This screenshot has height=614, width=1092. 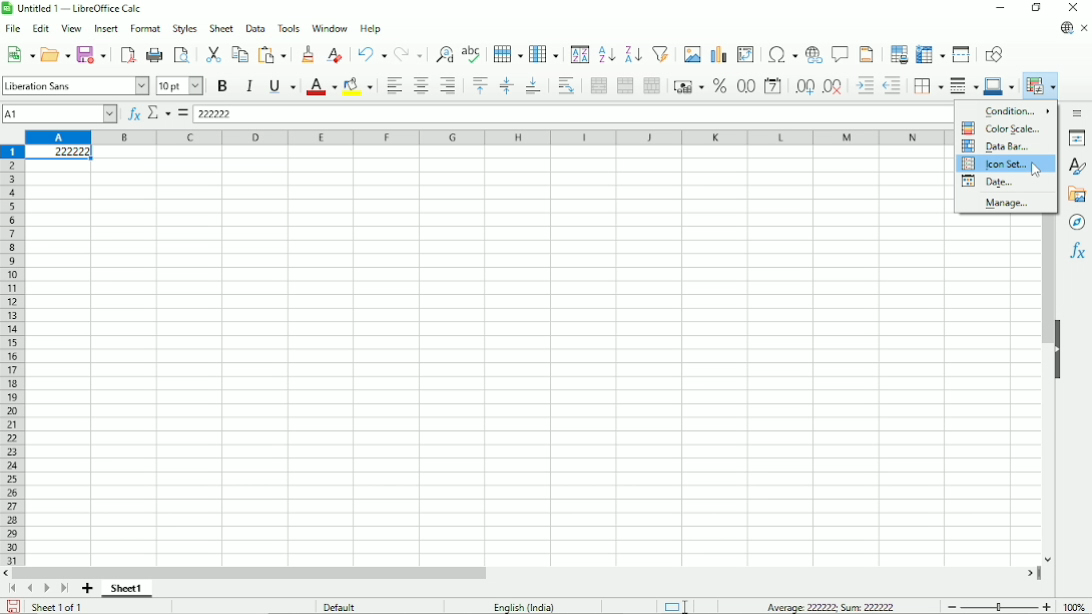 What do you see at coordinates (444, 53) in the screenshot?
I see `Find and replace` at bounding box center [444, 53].